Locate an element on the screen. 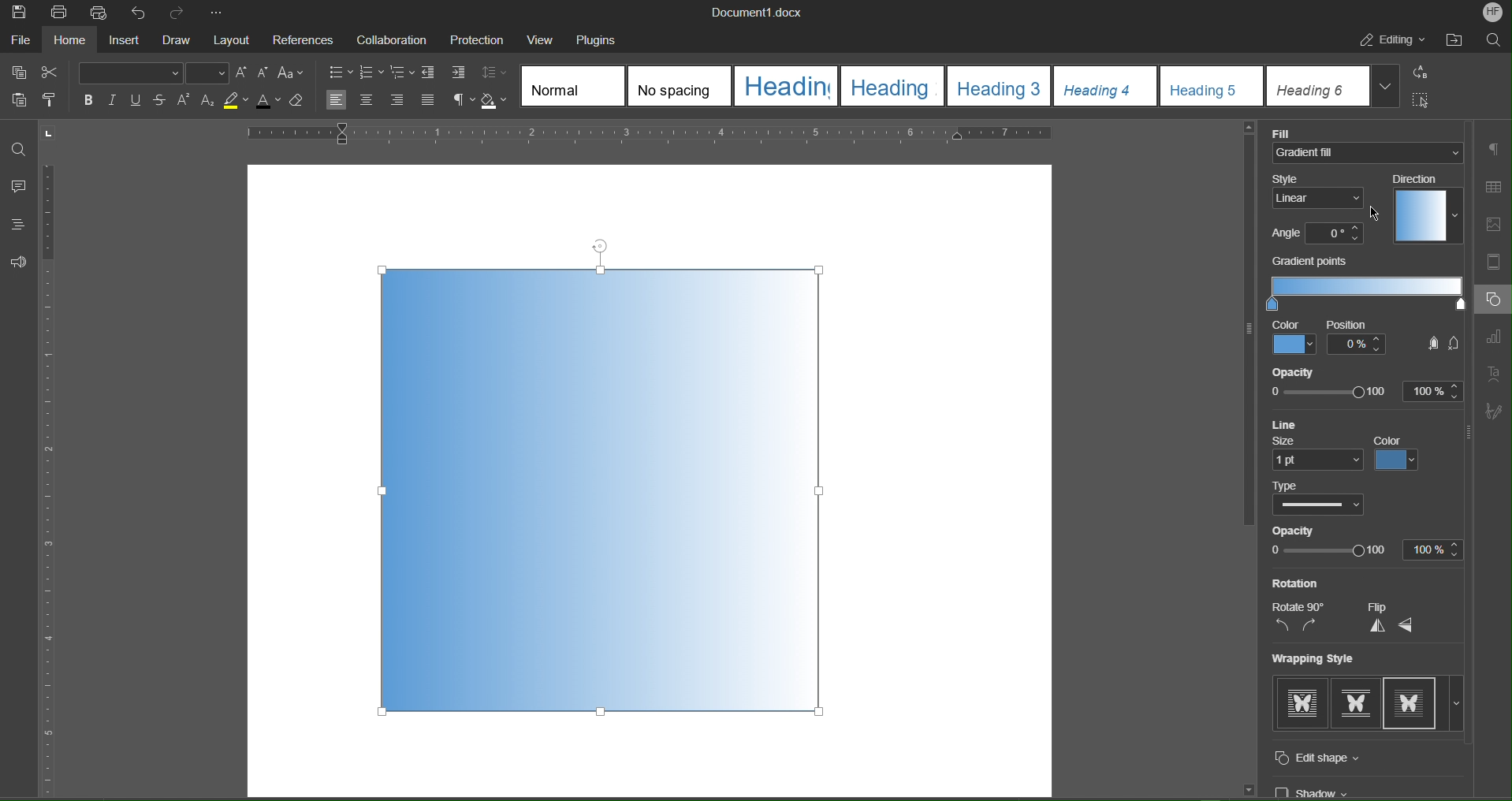 The width and height of the screenshot is (1512, 801). Scroll down is located at coordinates (1240, 789).